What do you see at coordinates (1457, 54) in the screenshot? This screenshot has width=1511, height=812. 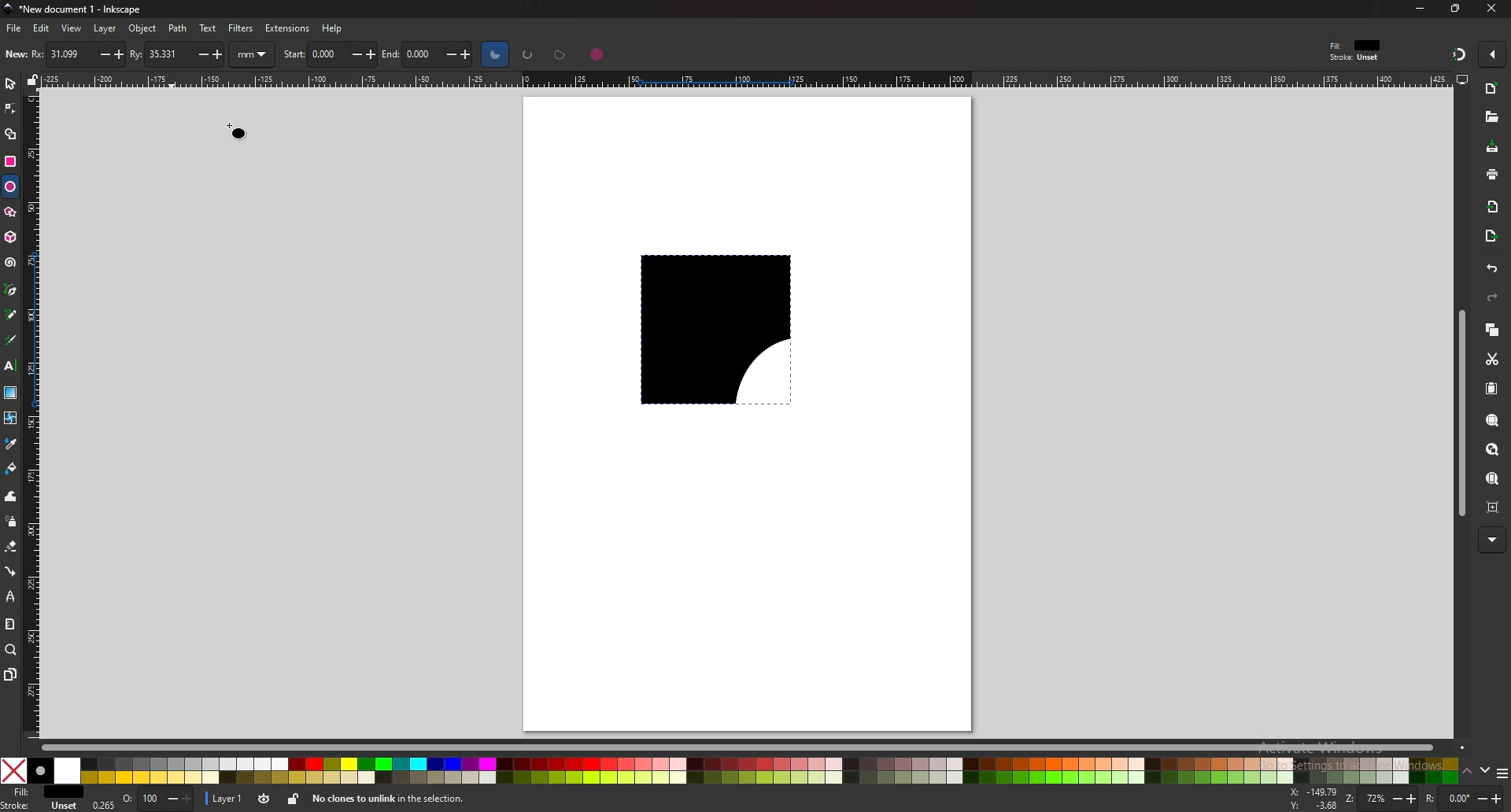 I see `snapping` at bounding box center [1457, 54].